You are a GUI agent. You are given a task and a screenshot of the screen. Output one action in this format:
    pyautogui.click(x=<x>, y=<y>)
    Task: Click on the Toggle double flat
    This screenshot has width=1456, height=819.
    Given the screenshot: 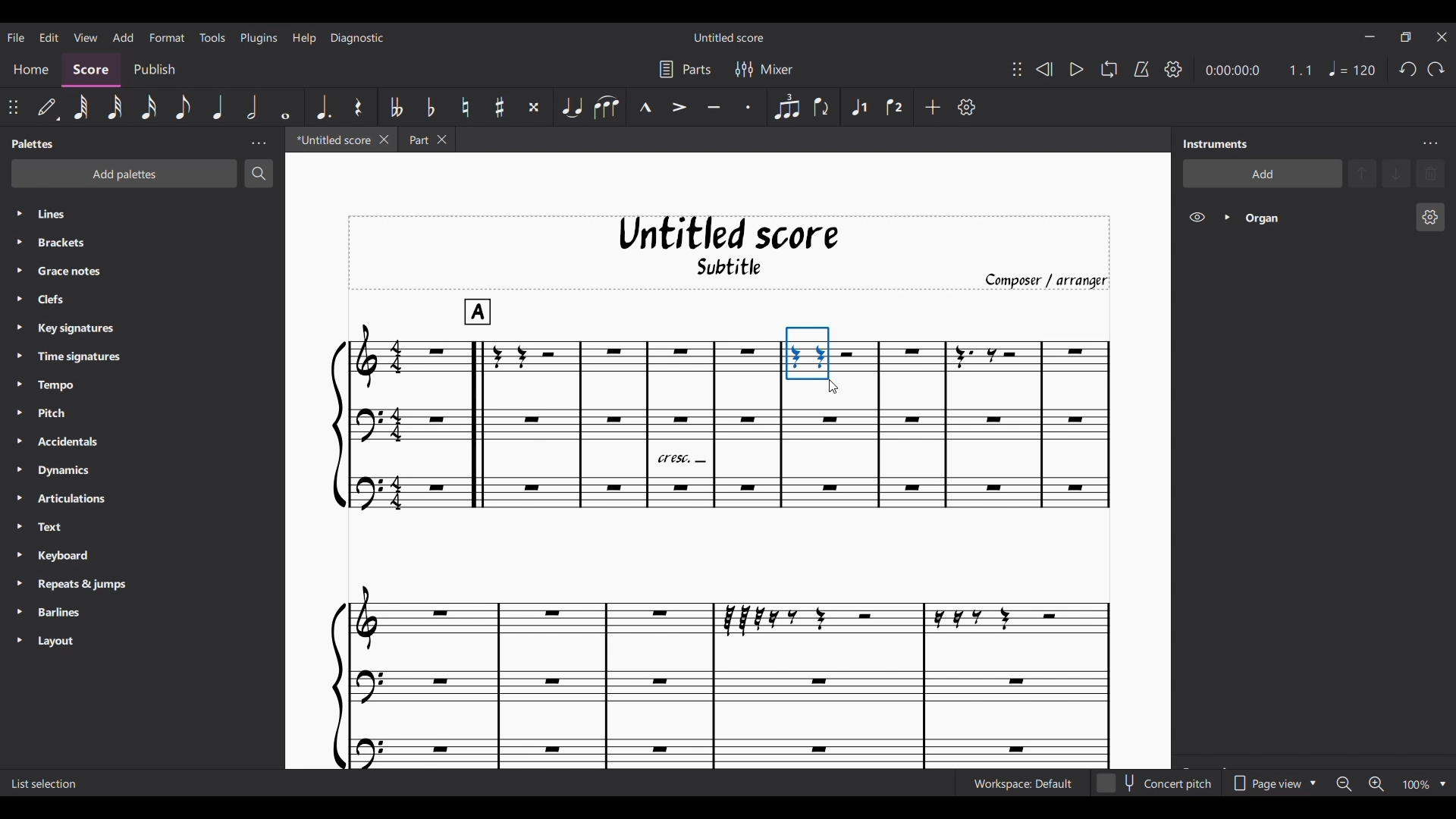 What is the action you would take?
    pyautogui.click(x=397, y=107)
    